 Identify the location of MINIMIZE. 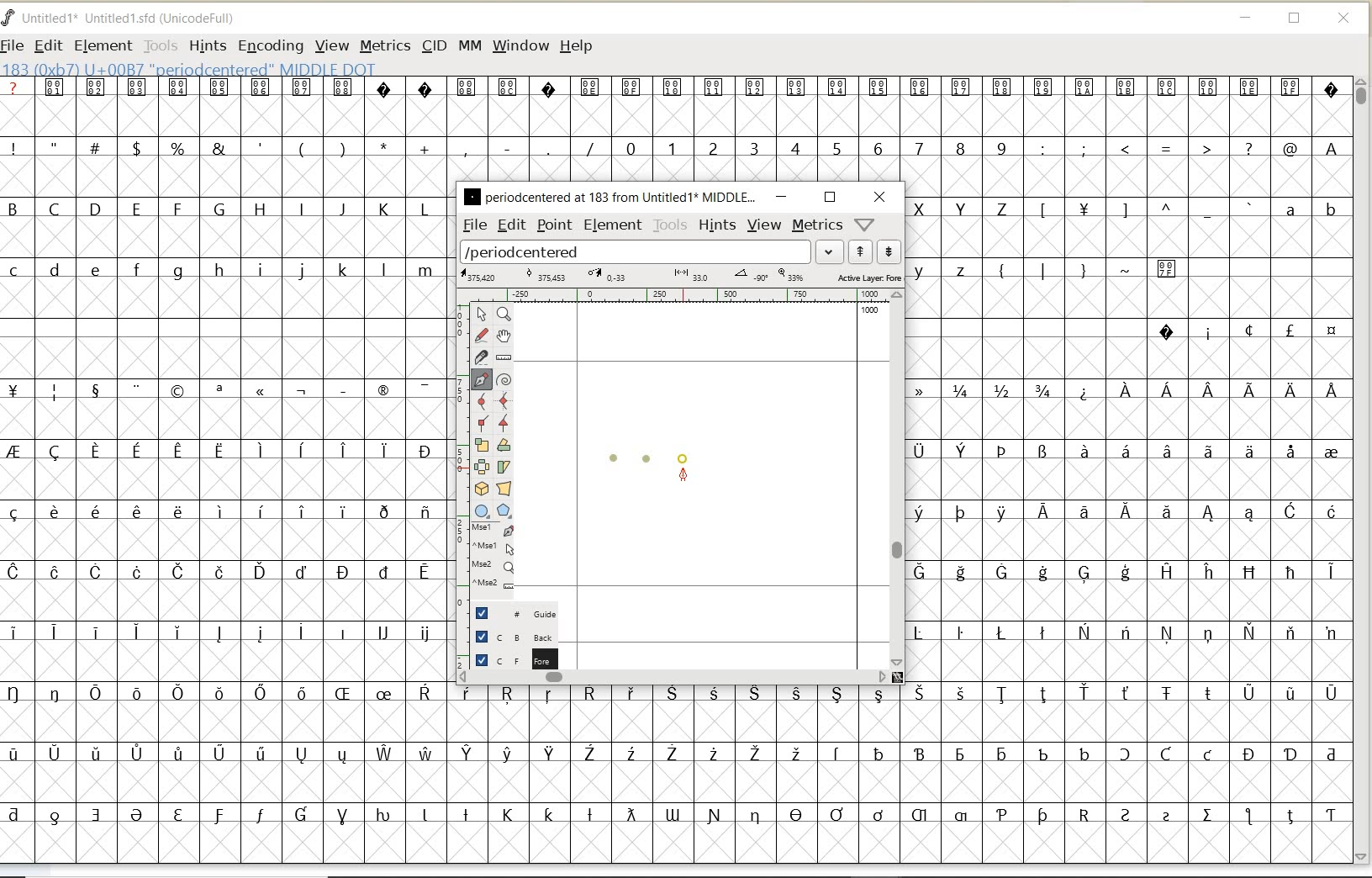
(1247, 20).